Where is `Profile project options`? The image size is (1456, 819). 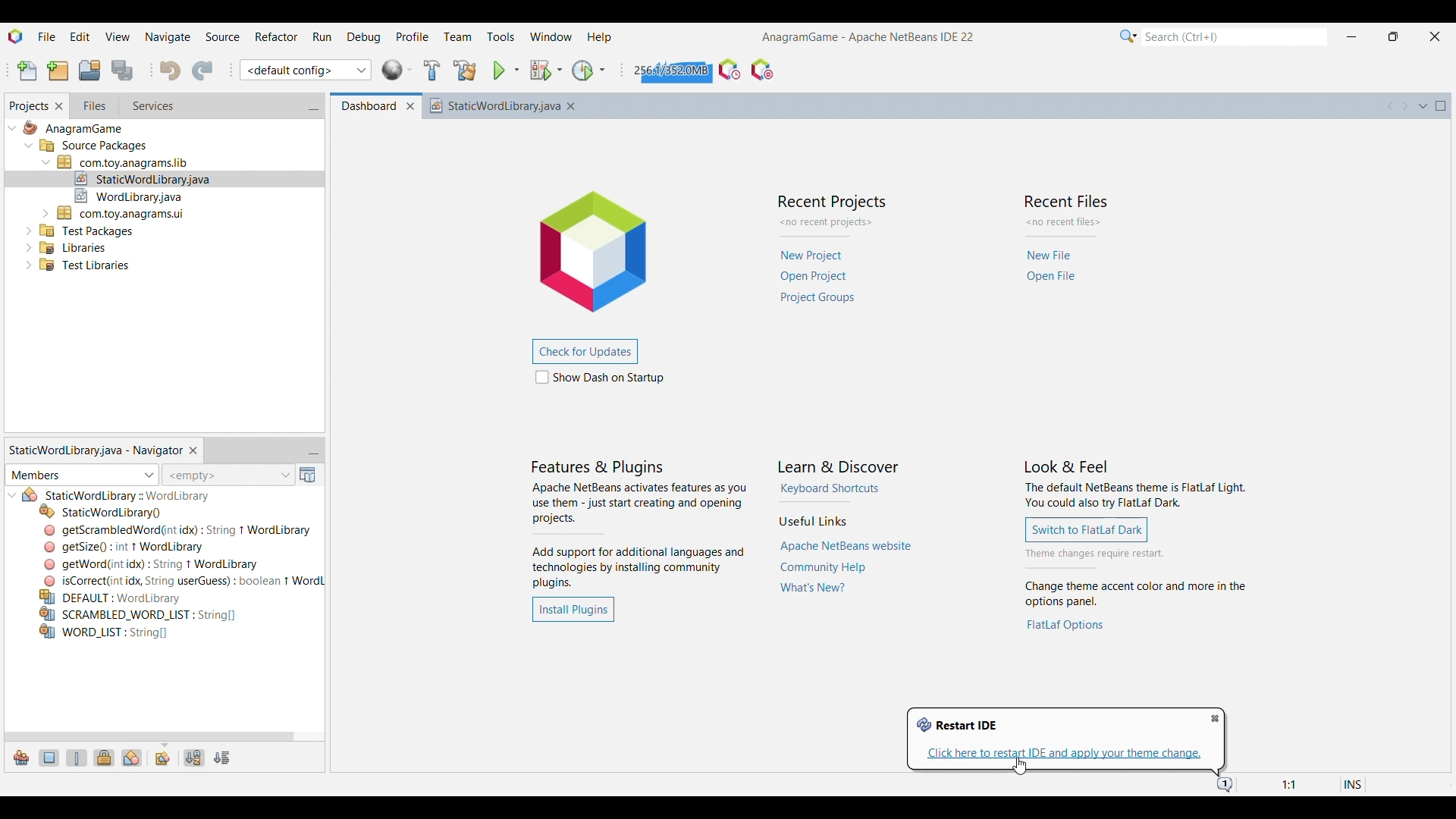 Profile project options is located at coordinates (602, 70).